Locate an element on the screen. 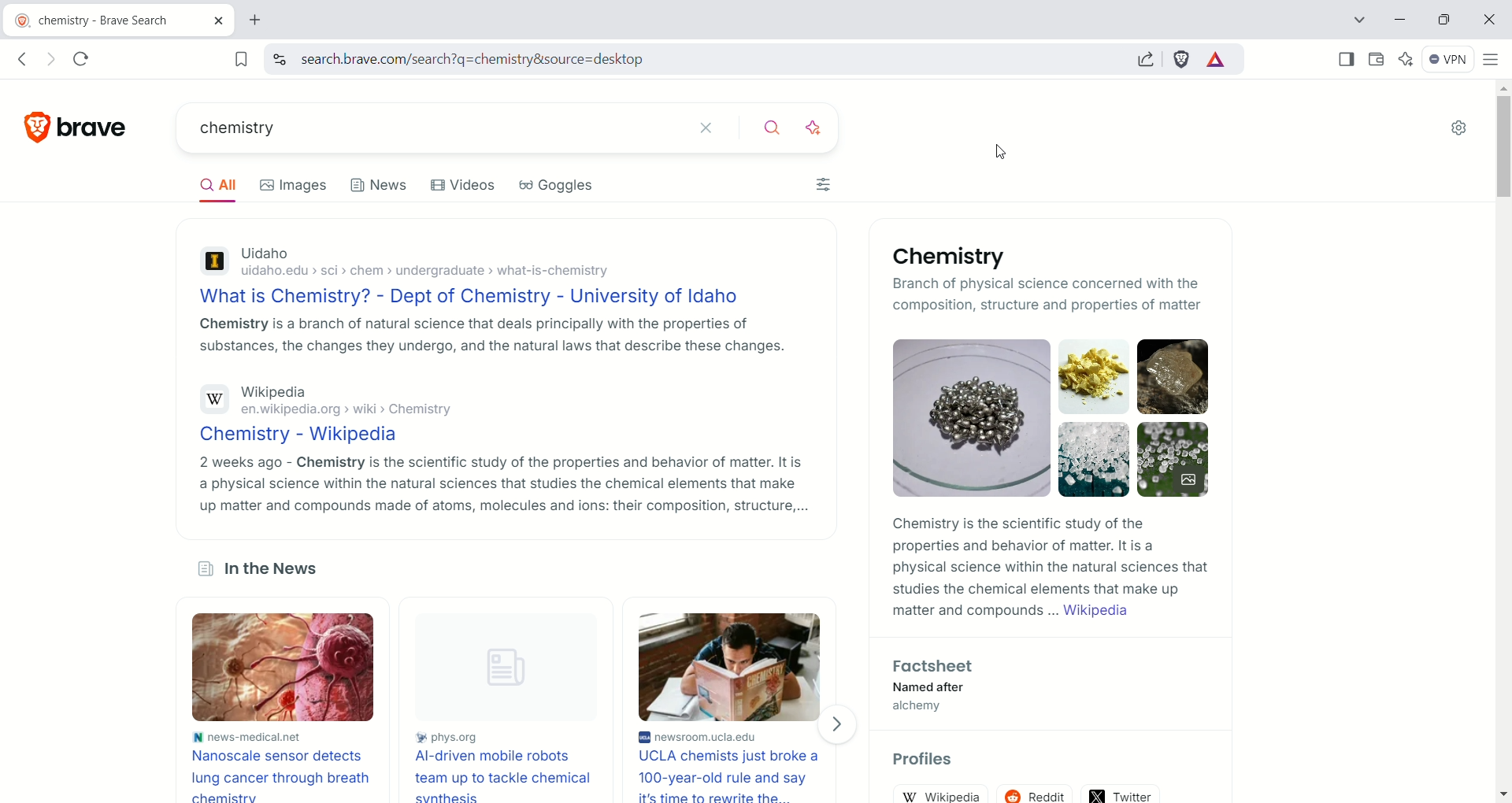 The width and height of the screenshot is (1512, 803). image of a person reading a book is located at coordinates (732, 665).